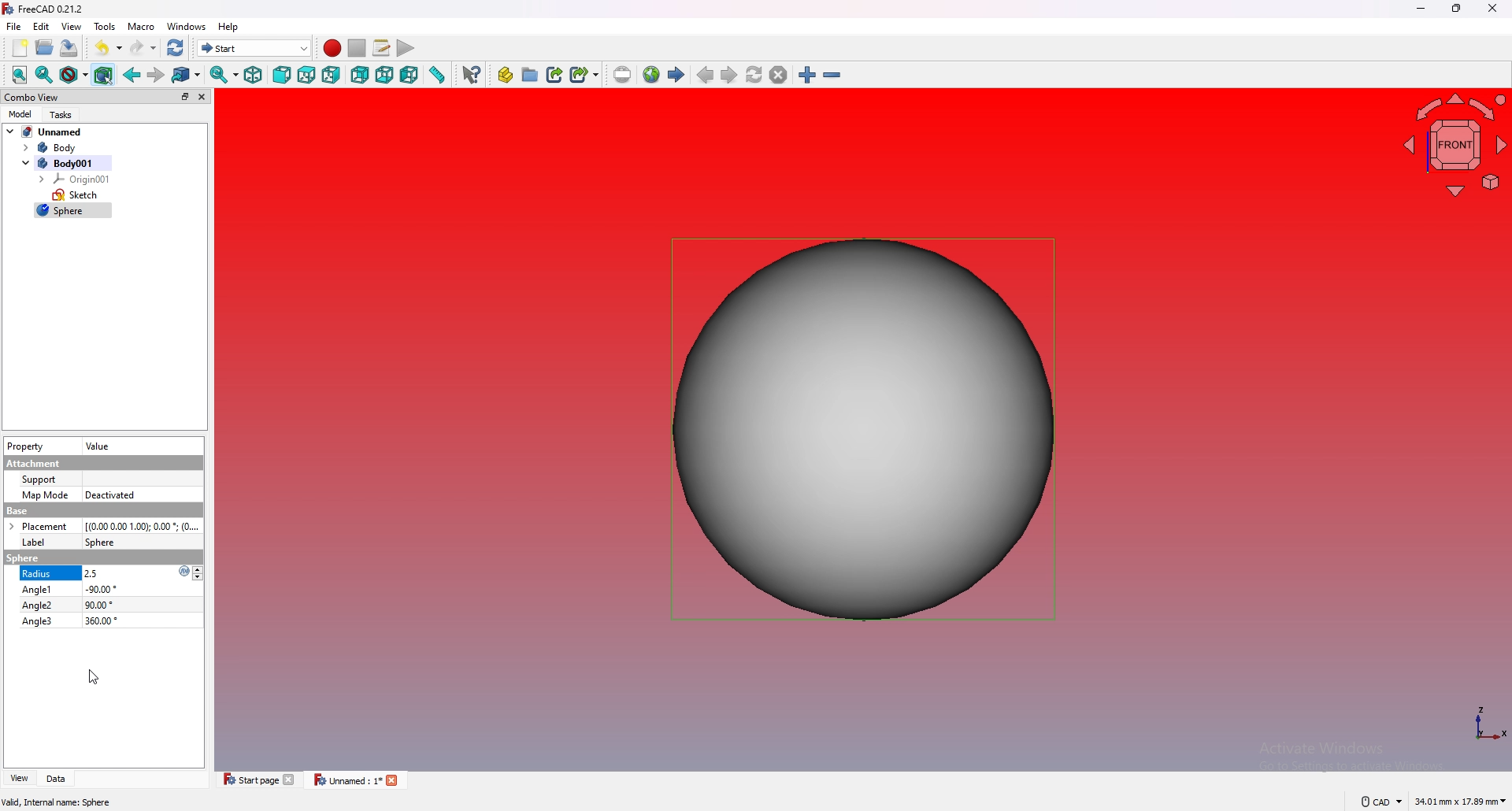 The height and width of the screenshot is (811, 1512). I want to click on isometric, so click(253, 75).